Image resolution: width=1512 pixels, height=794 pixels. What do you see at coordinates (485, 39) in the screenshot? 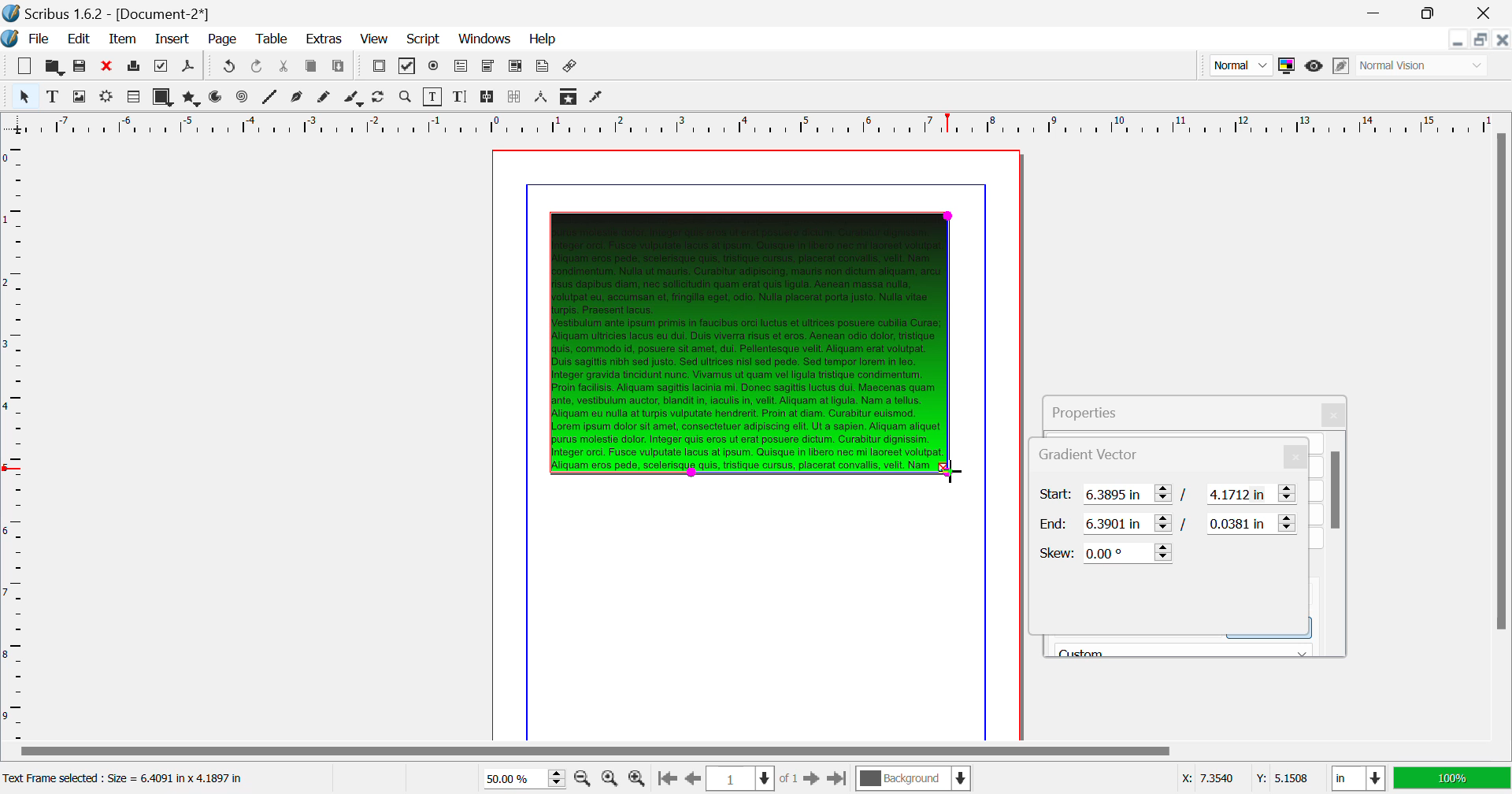
I see `Windows` at bounding box center [485, 39].